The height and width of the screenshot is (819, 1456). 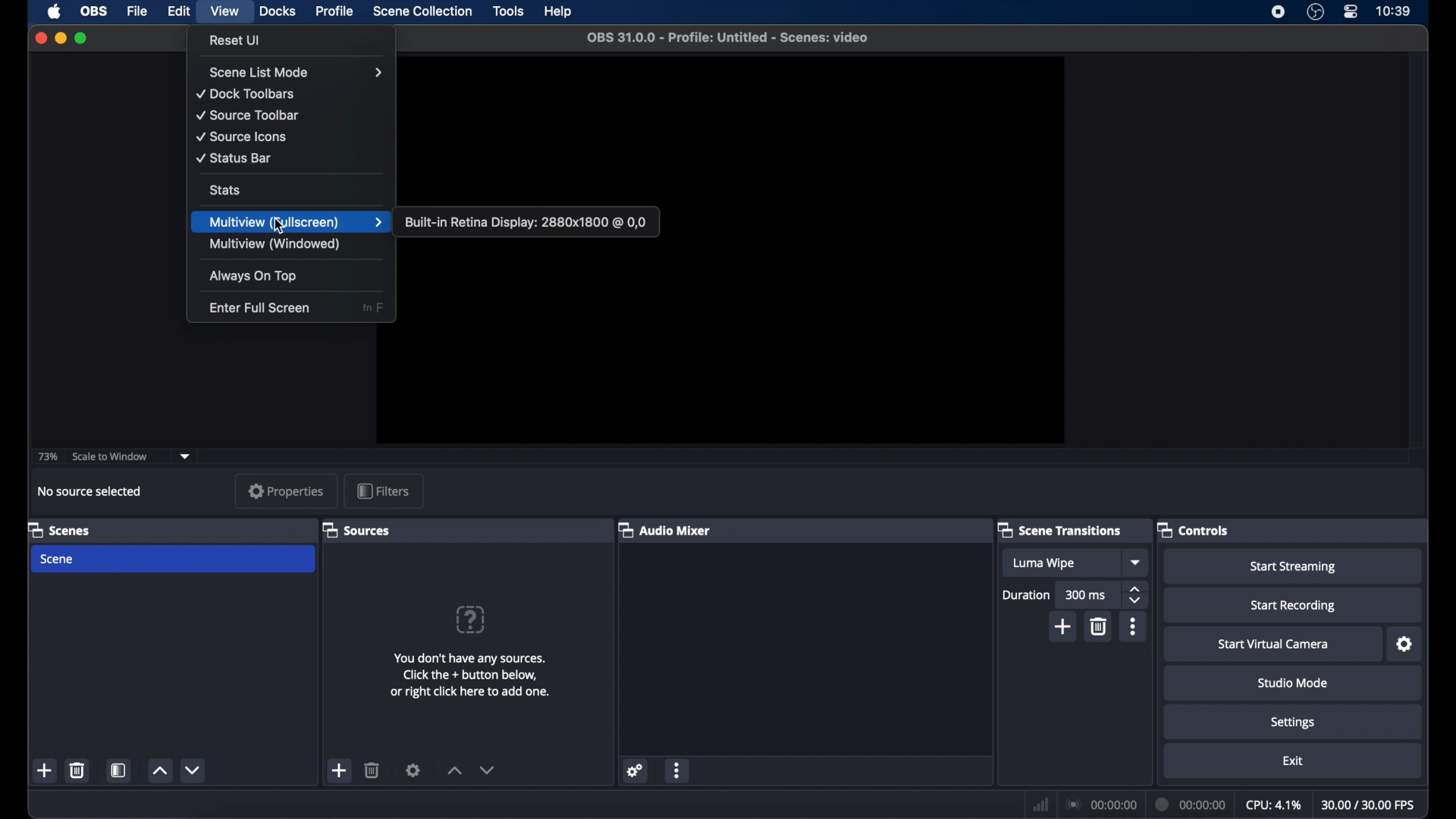 I want to click on decrement, so click(x=492, y=770).